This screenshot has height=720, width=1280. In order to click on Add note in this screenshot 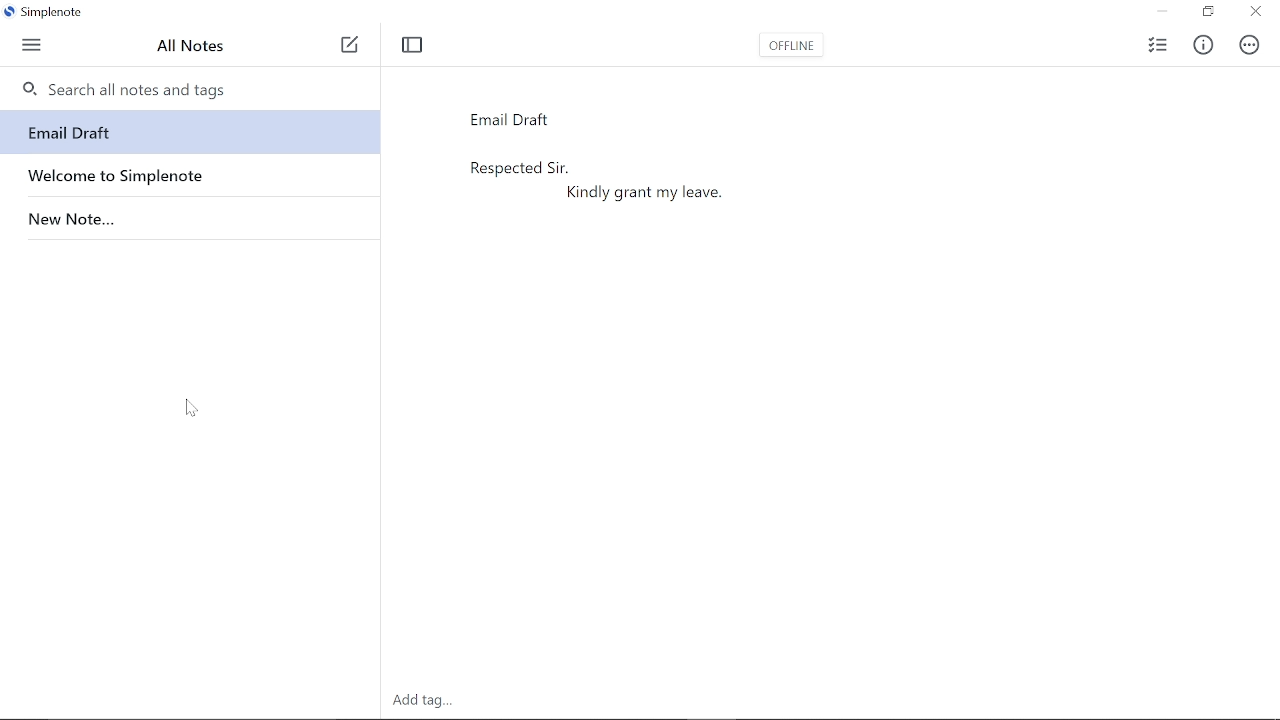, I will do `click(349, 46)`.